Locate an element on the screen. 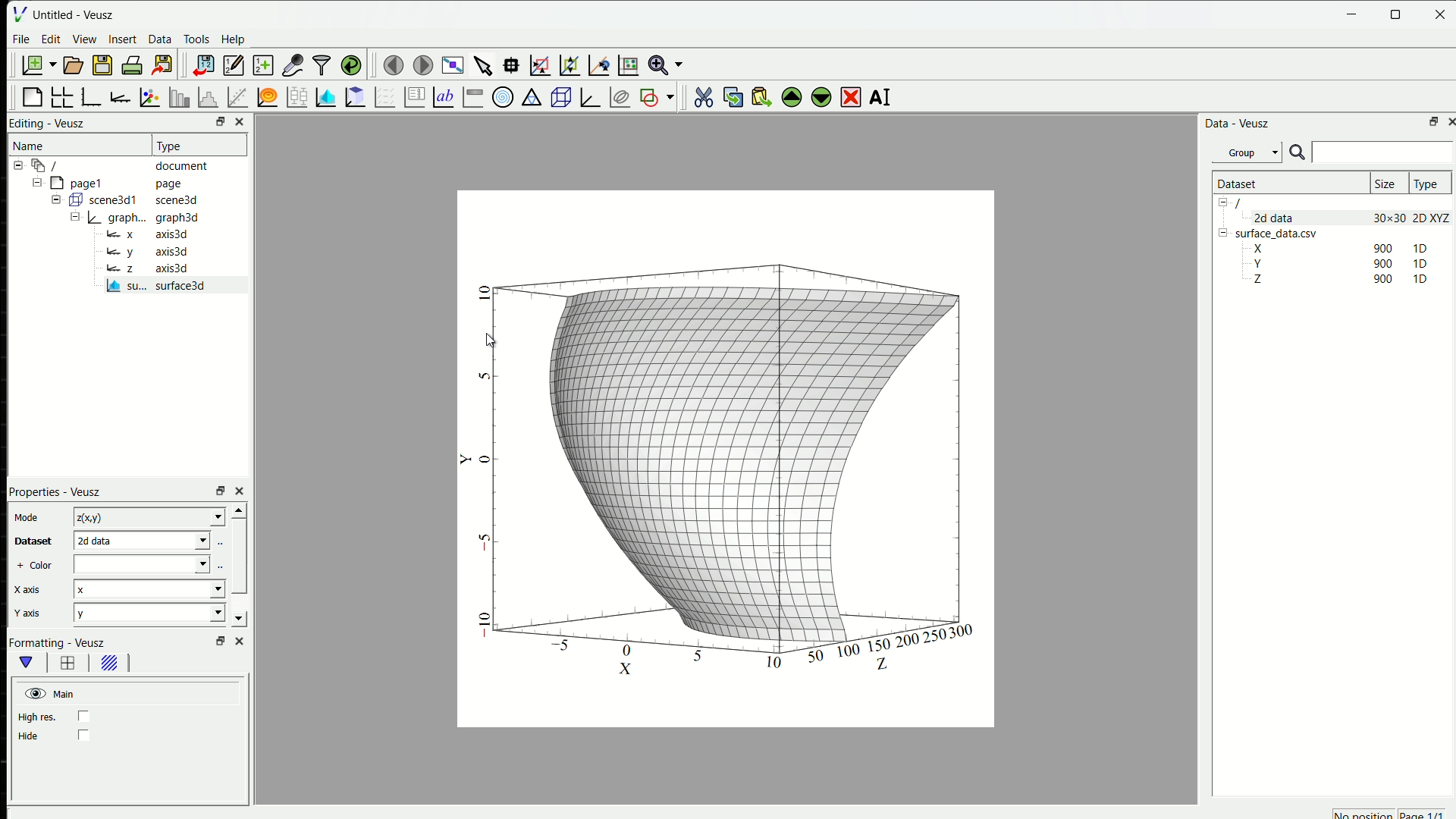  View is located at coordinates (86, 39).